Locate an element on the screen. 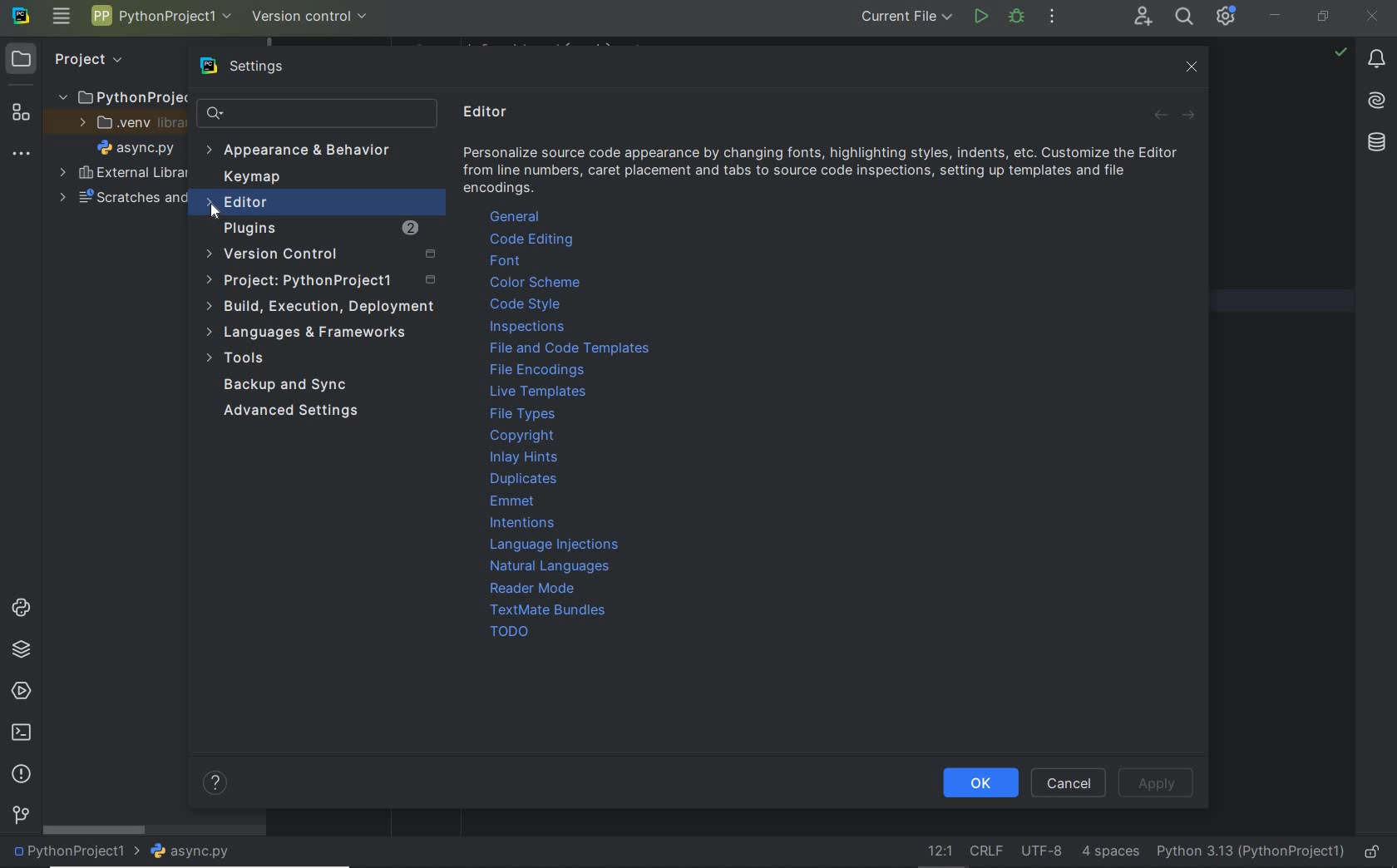 This screenshot has height=868, width=1397. python console is located at coordinates (21, 609).